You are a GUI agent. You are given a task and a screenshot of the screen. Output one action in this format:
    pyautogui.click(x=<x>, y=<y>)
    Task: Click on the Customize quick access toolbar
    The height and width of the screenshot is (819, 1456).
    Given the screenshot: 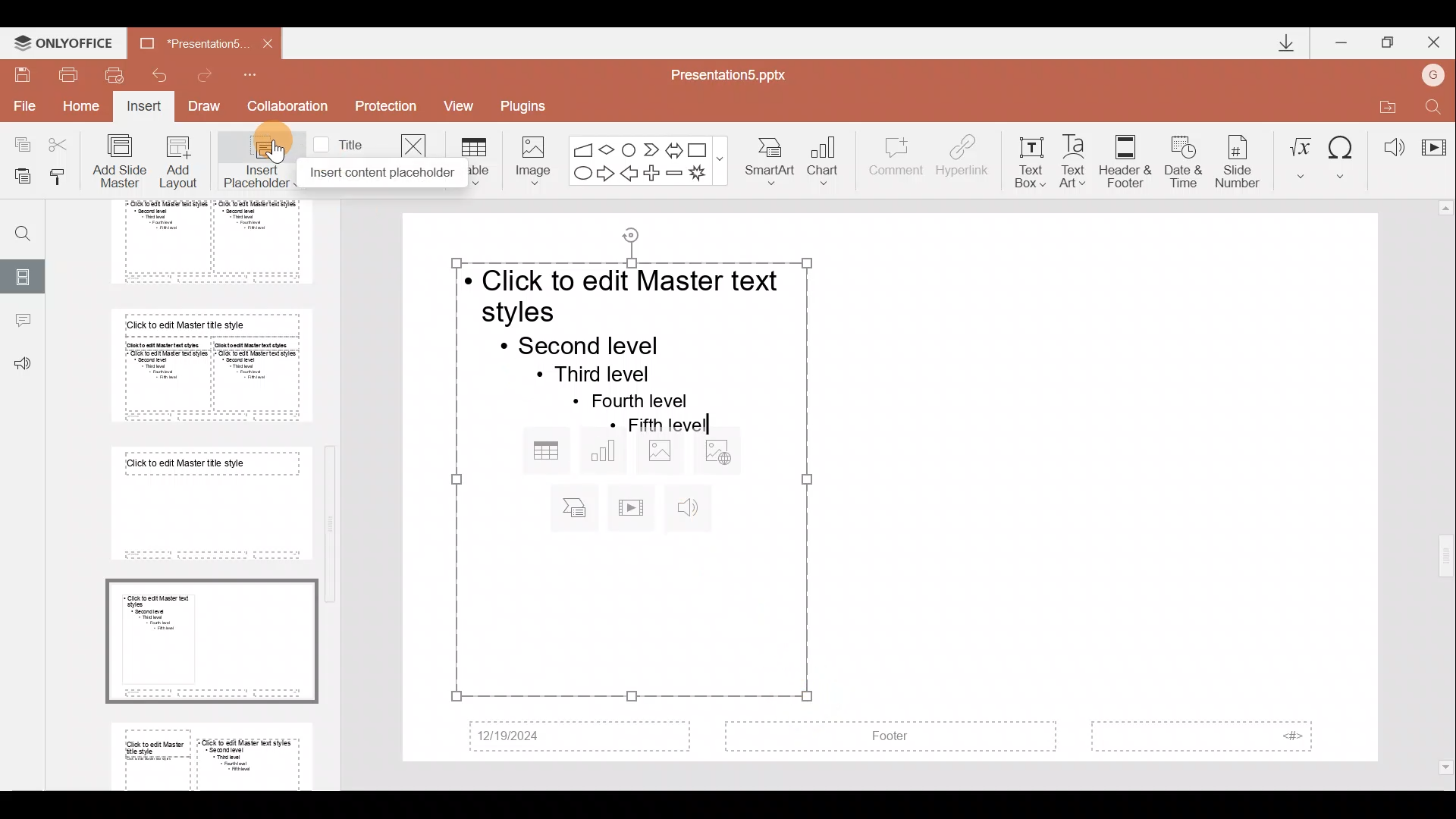 What is the action you would take?
    pyautogui.click(x=260, y=74)
    